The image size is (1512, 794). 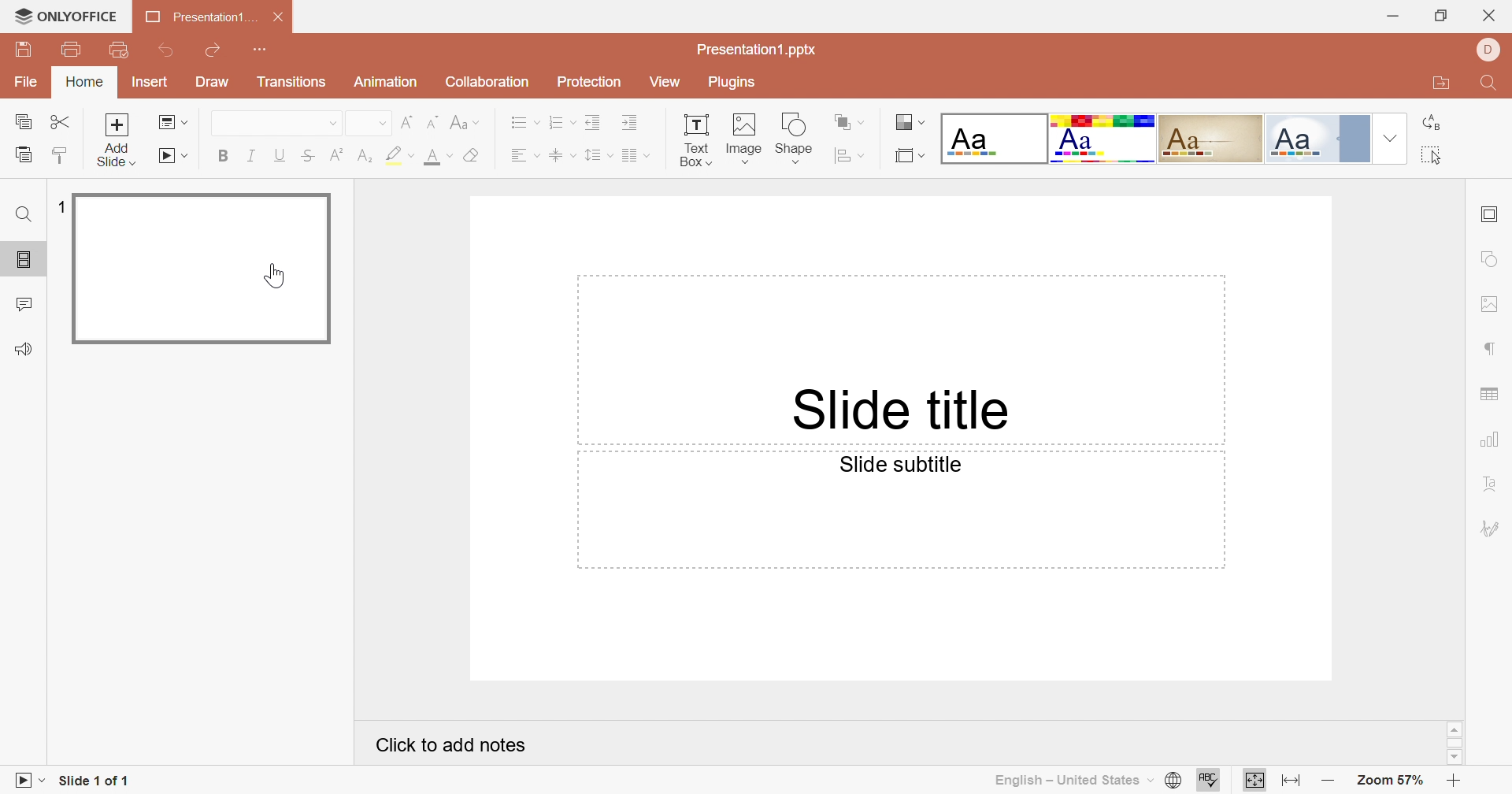 I want to click on Presentation1..., so click(x=201, y=17).